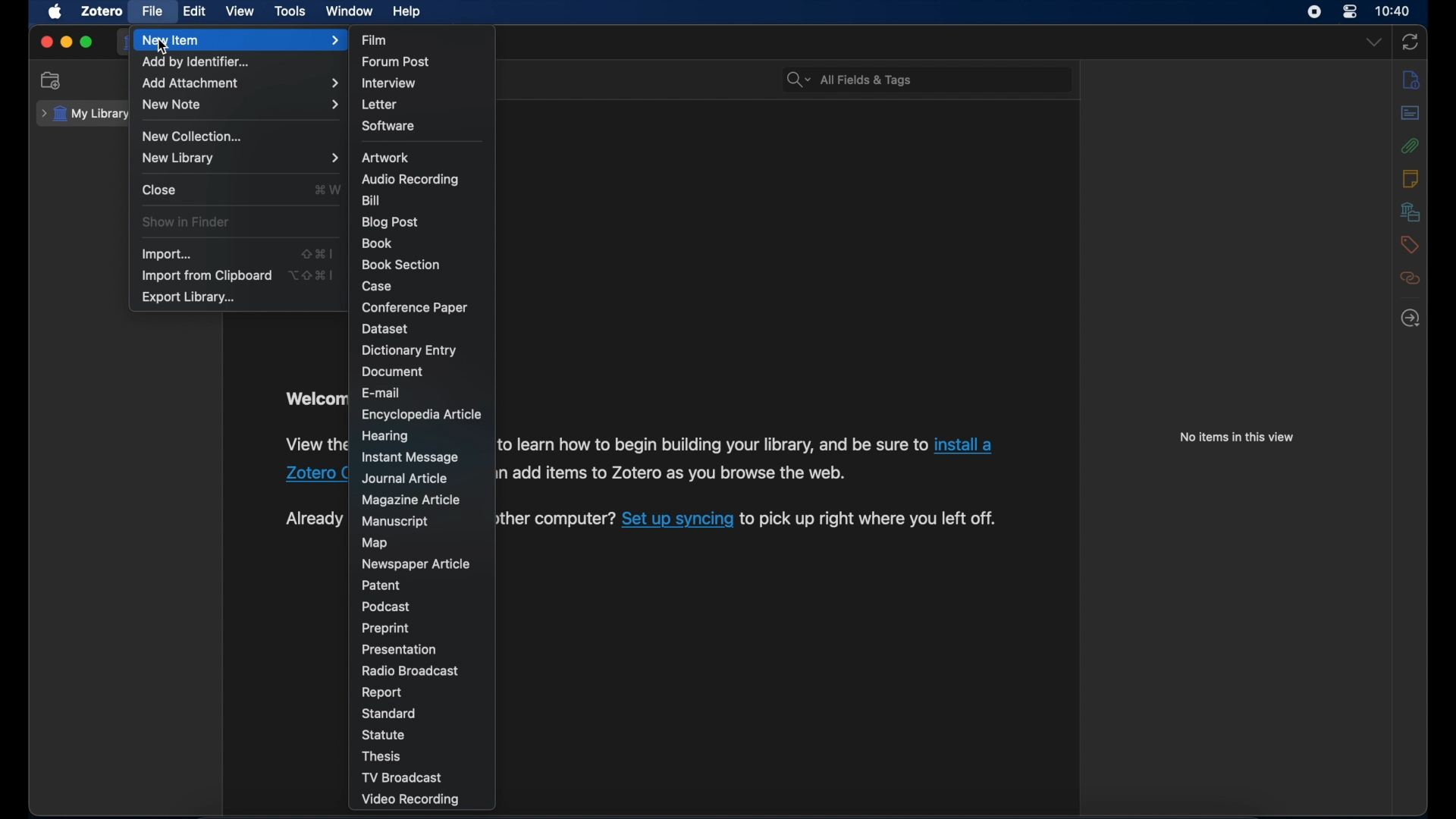 The width and height of the screenshot is (1456, 819). I want to click on journal article, so click(409, 478).